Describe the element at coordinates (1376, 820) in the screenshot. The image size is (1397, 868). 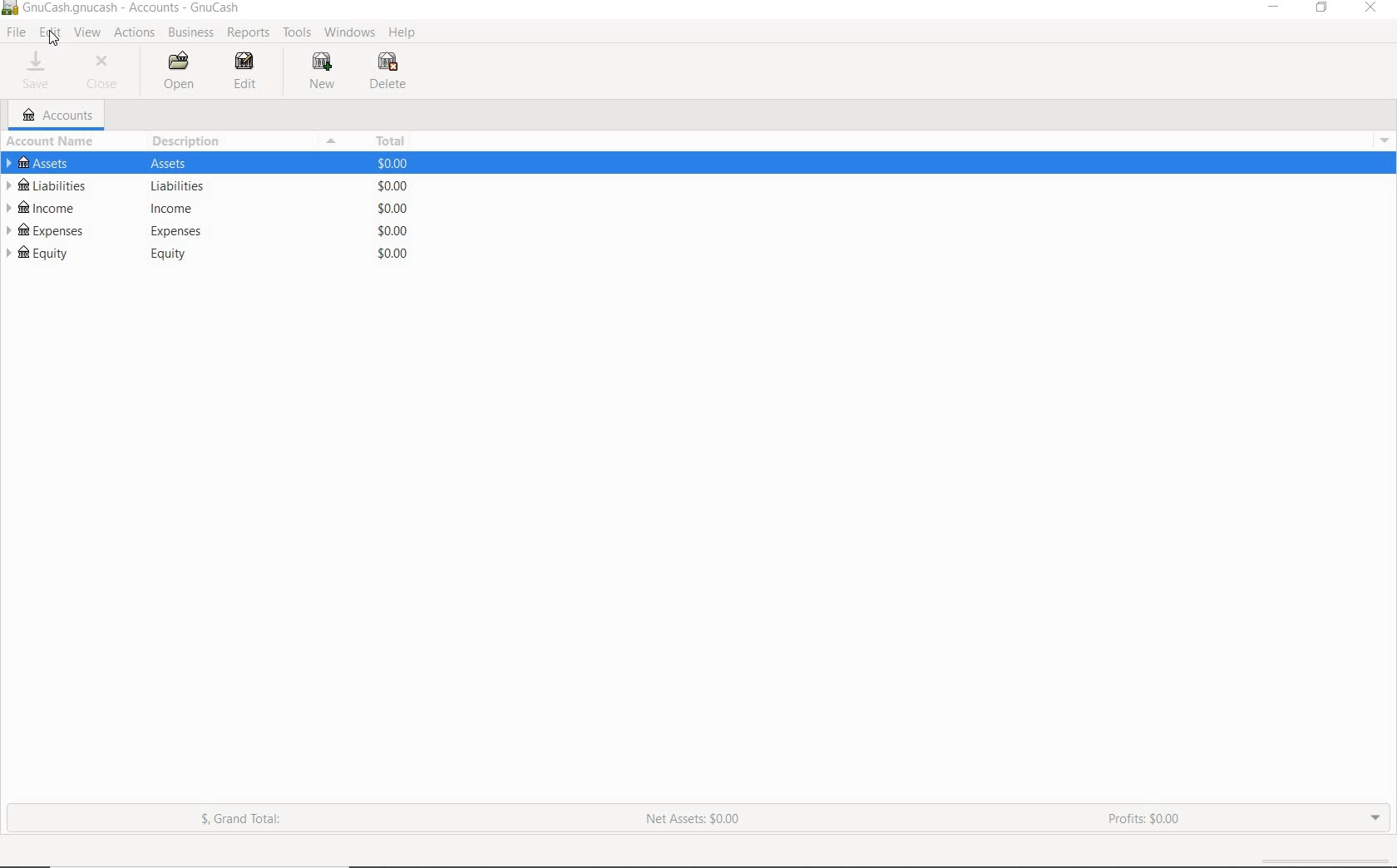
I see `EXPAND` at that location.